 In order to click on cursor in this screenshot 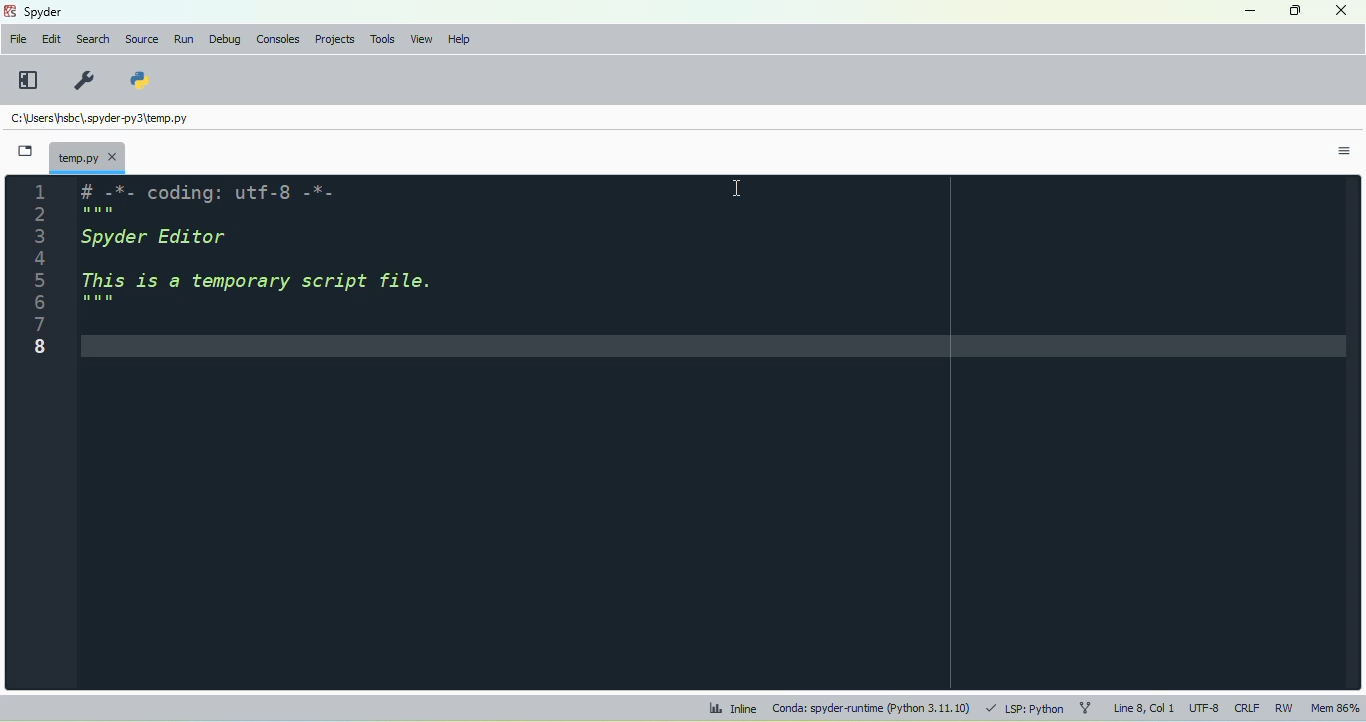, I will do `click(737, 188)`.